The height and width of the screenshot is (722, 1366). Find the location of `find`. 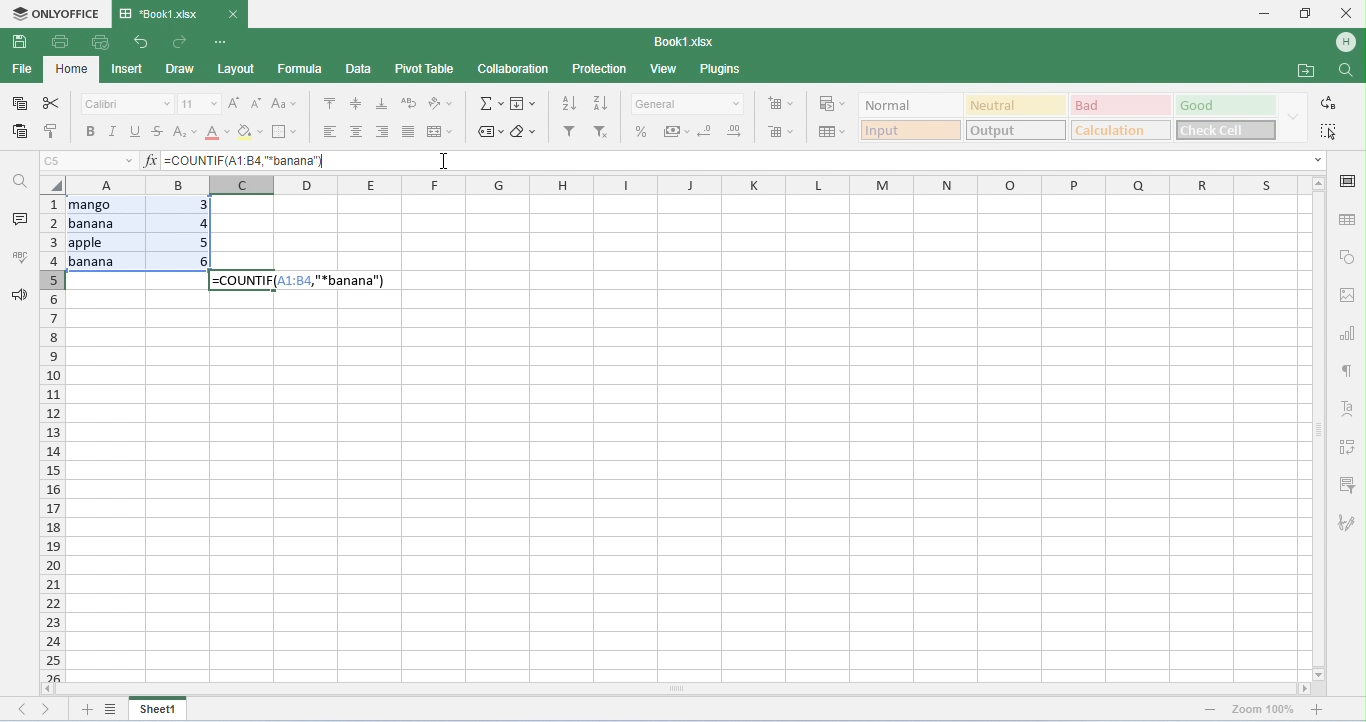

find is located at coordinates (1345, 69).